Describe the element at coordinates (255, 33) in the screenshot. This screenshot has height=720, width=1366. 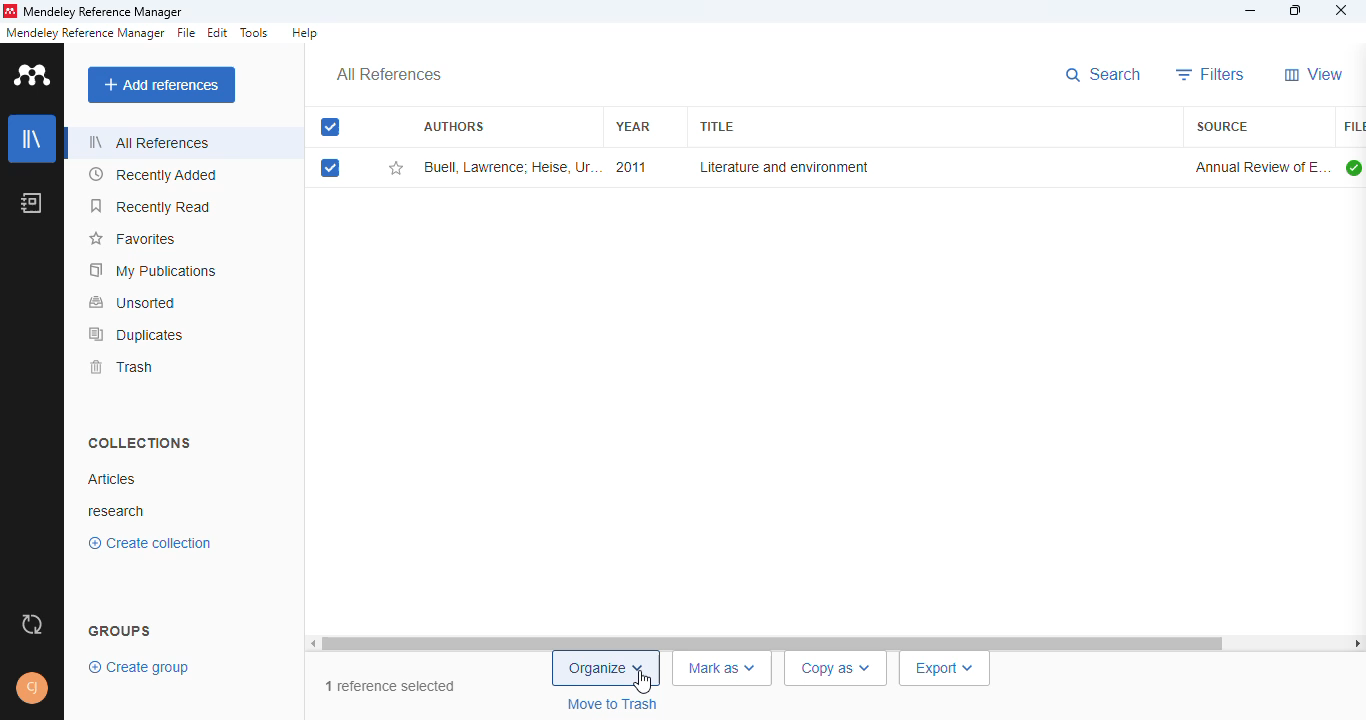
I see `tools` at that location.